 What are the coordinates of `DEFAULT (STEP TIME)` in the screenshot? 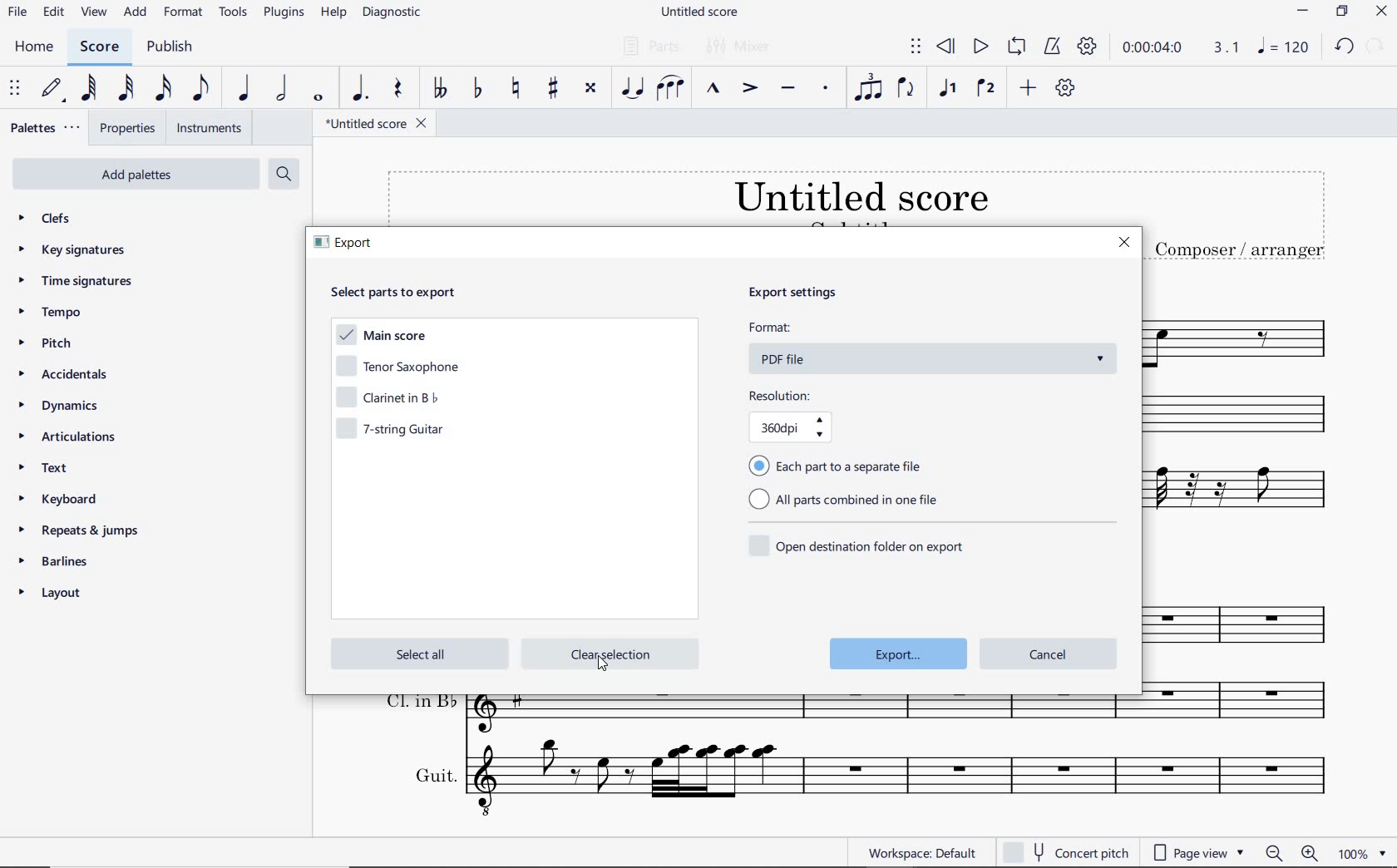 It's located at (51, 89).